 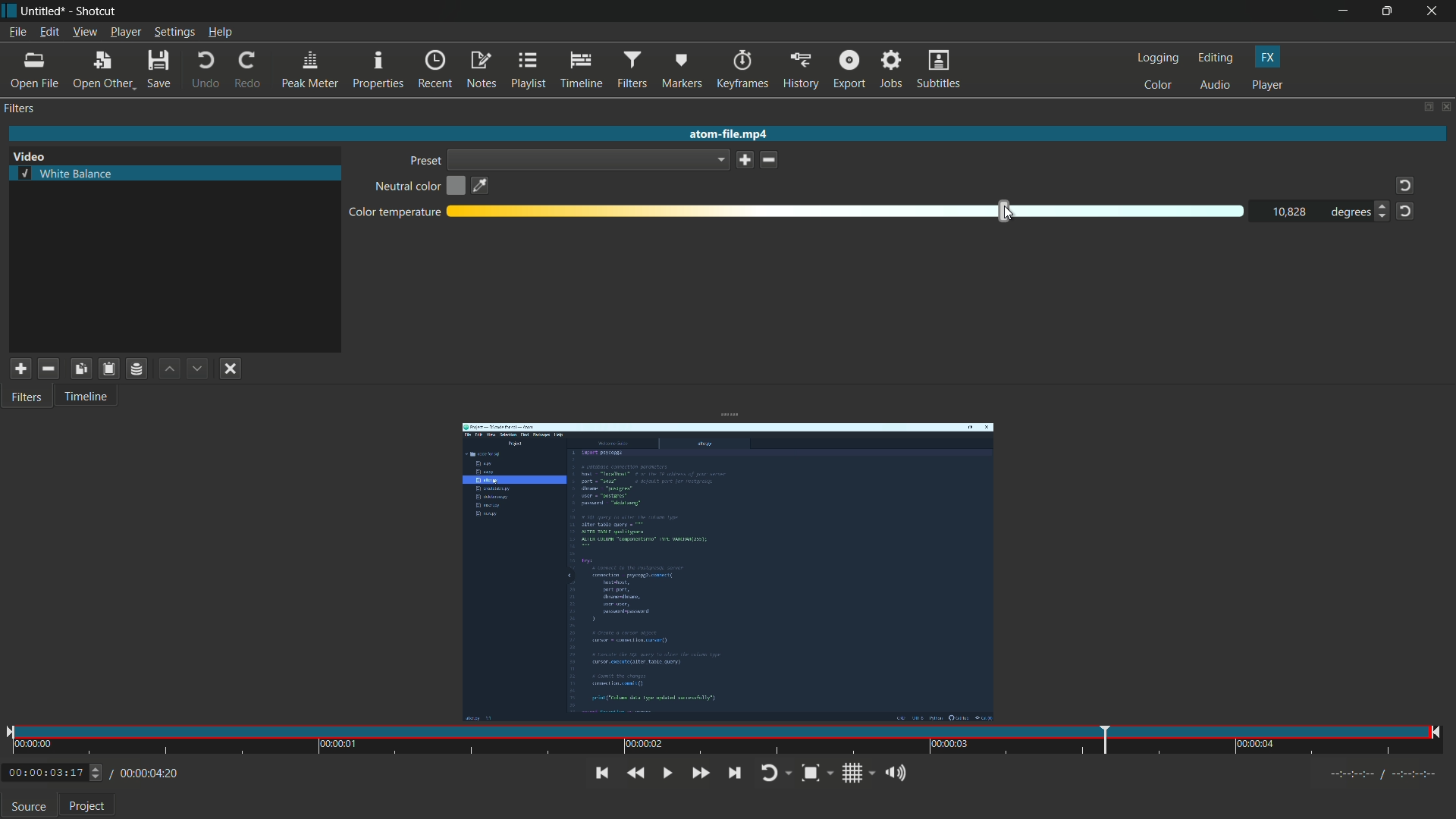 What do you see at coordinates (29, 808) in the screenshot?
I see `source` at bounding box center [29, 808].